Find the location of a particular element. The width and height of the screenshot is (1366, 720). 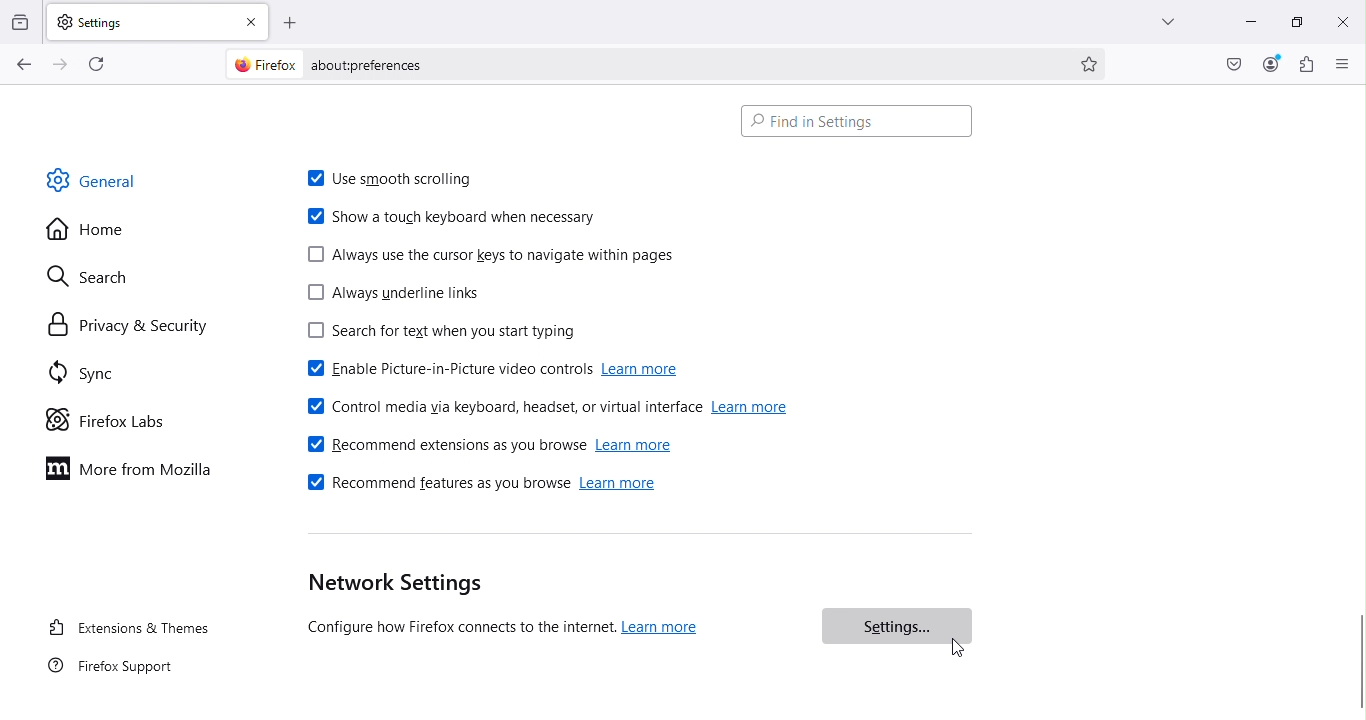

Cursor is located at coordinates (954, 647).